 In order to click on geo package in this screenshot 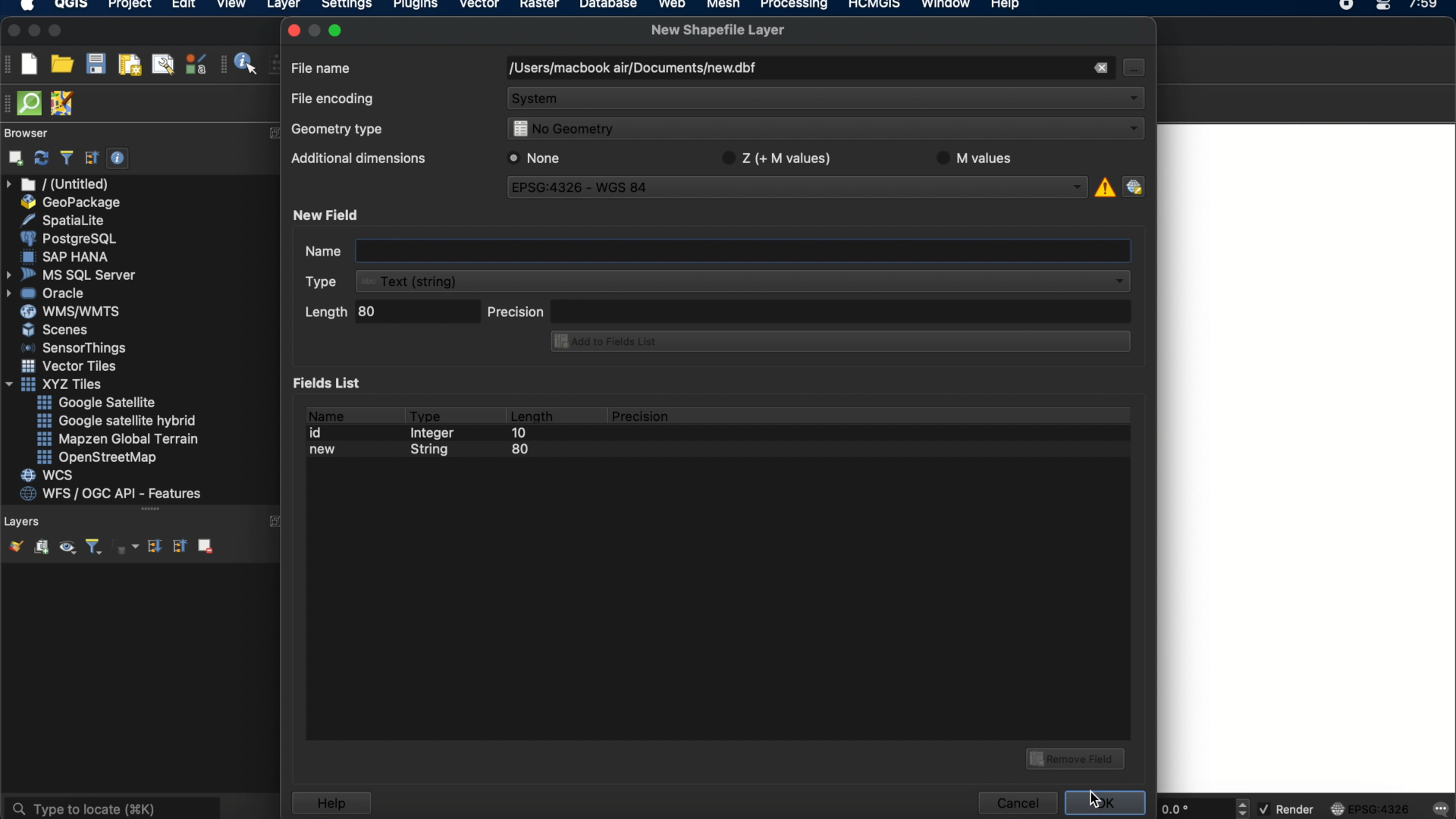, I will do `click(69, 202)`.